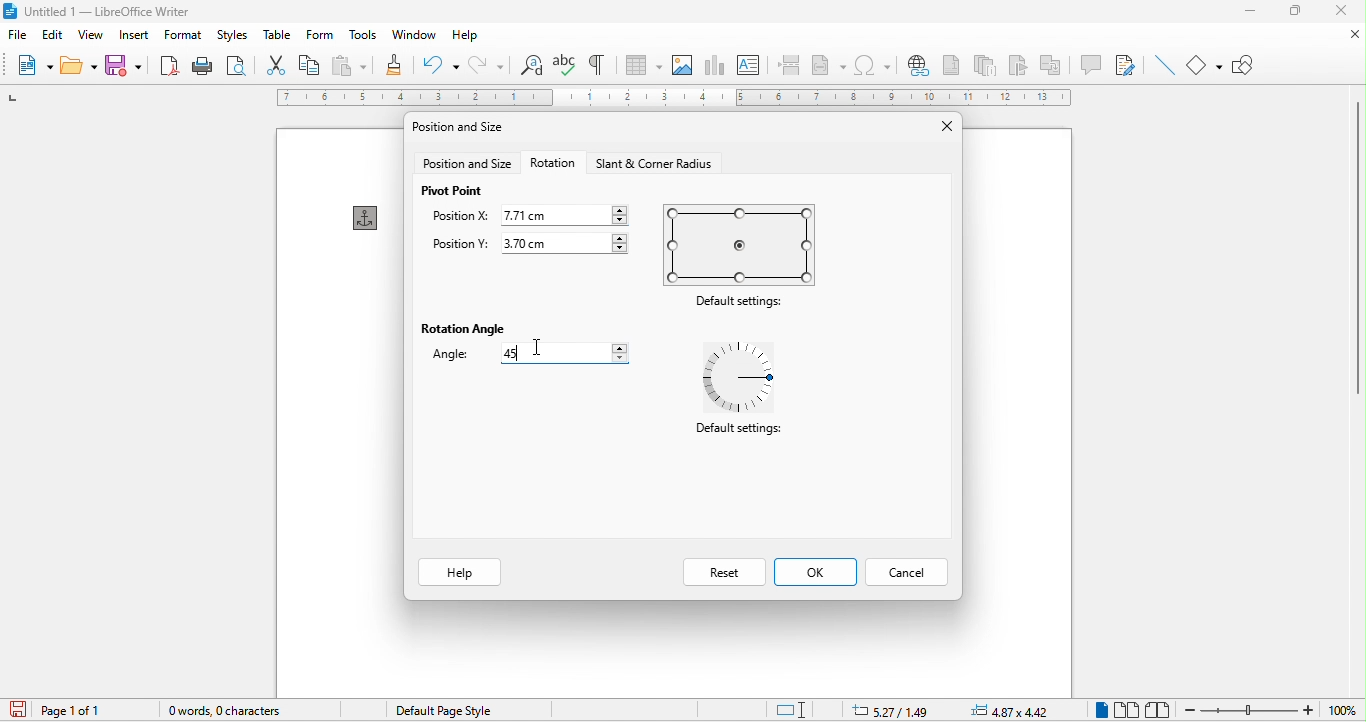 This screenshot has height=722, width=1366. Describe the element at coordinates (461, 573) in the screenshot. I see `help` at that location.